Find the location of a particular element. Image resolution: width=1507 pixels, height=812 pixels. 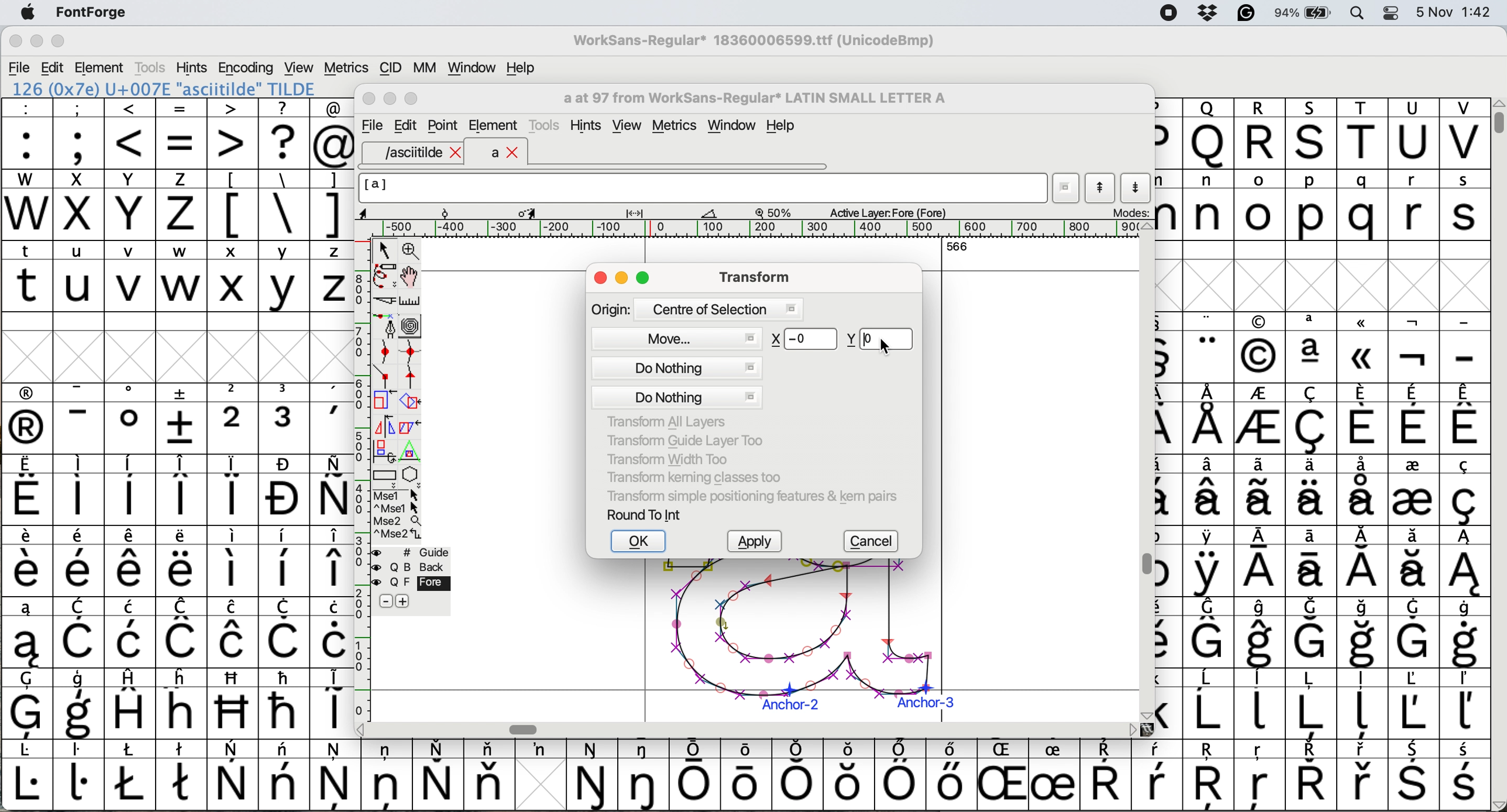

U is located at coordinates (1413, 134).